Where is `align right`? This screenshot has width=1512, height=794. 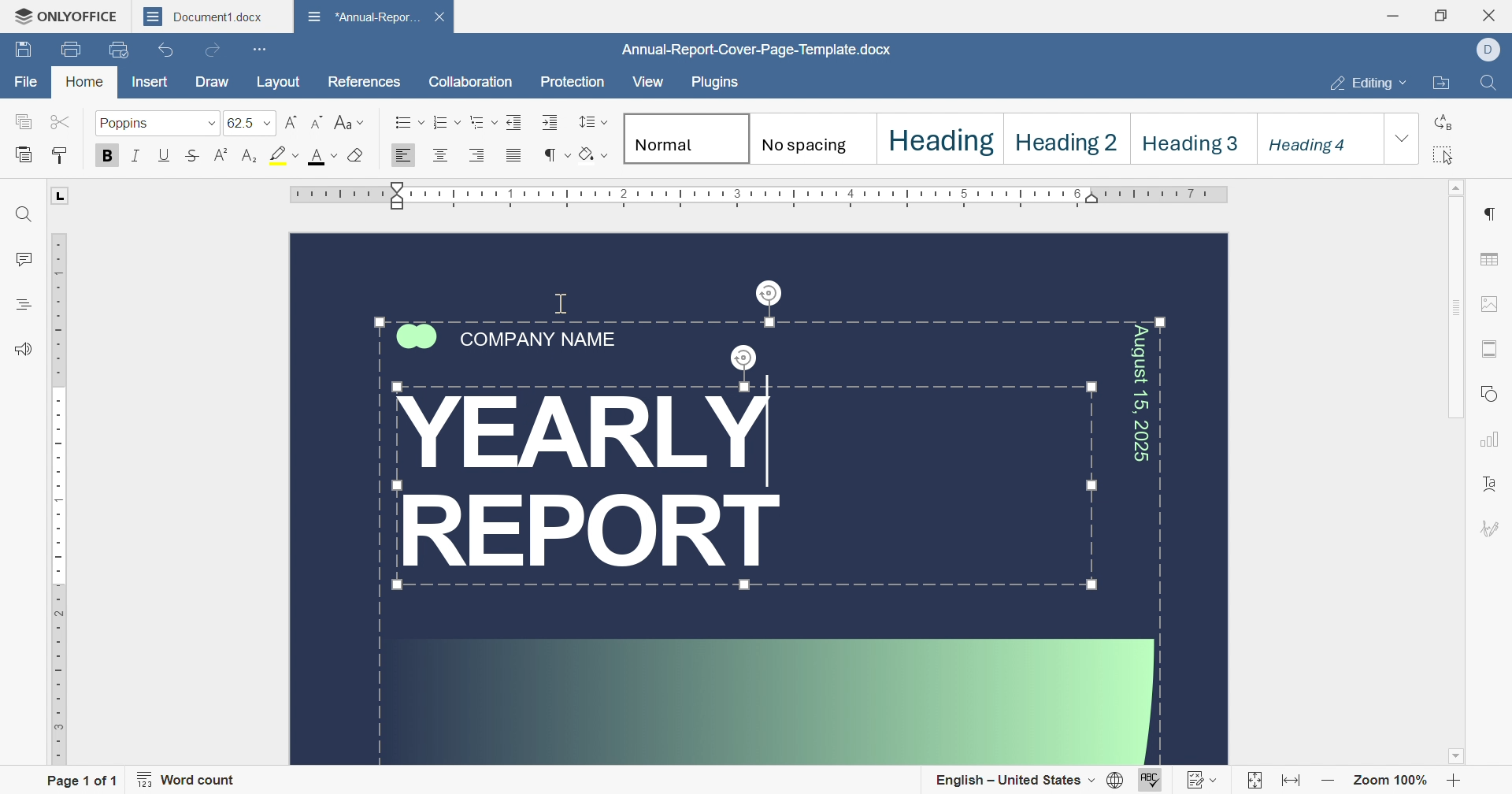 align right is located at coordinates (484, 154).